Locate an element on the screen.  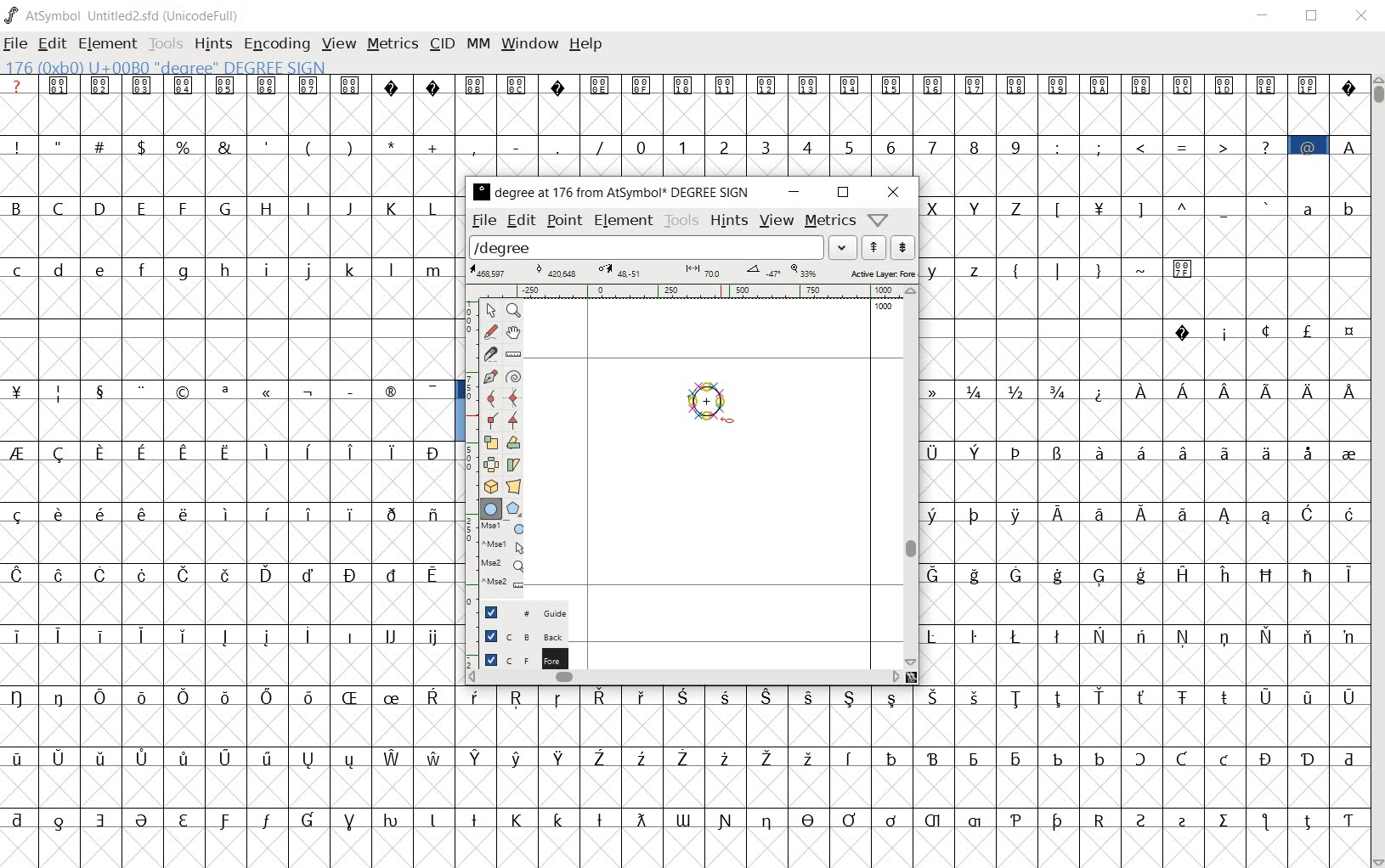
add a point, then drag out its control points is located at coordinates (488, 375).